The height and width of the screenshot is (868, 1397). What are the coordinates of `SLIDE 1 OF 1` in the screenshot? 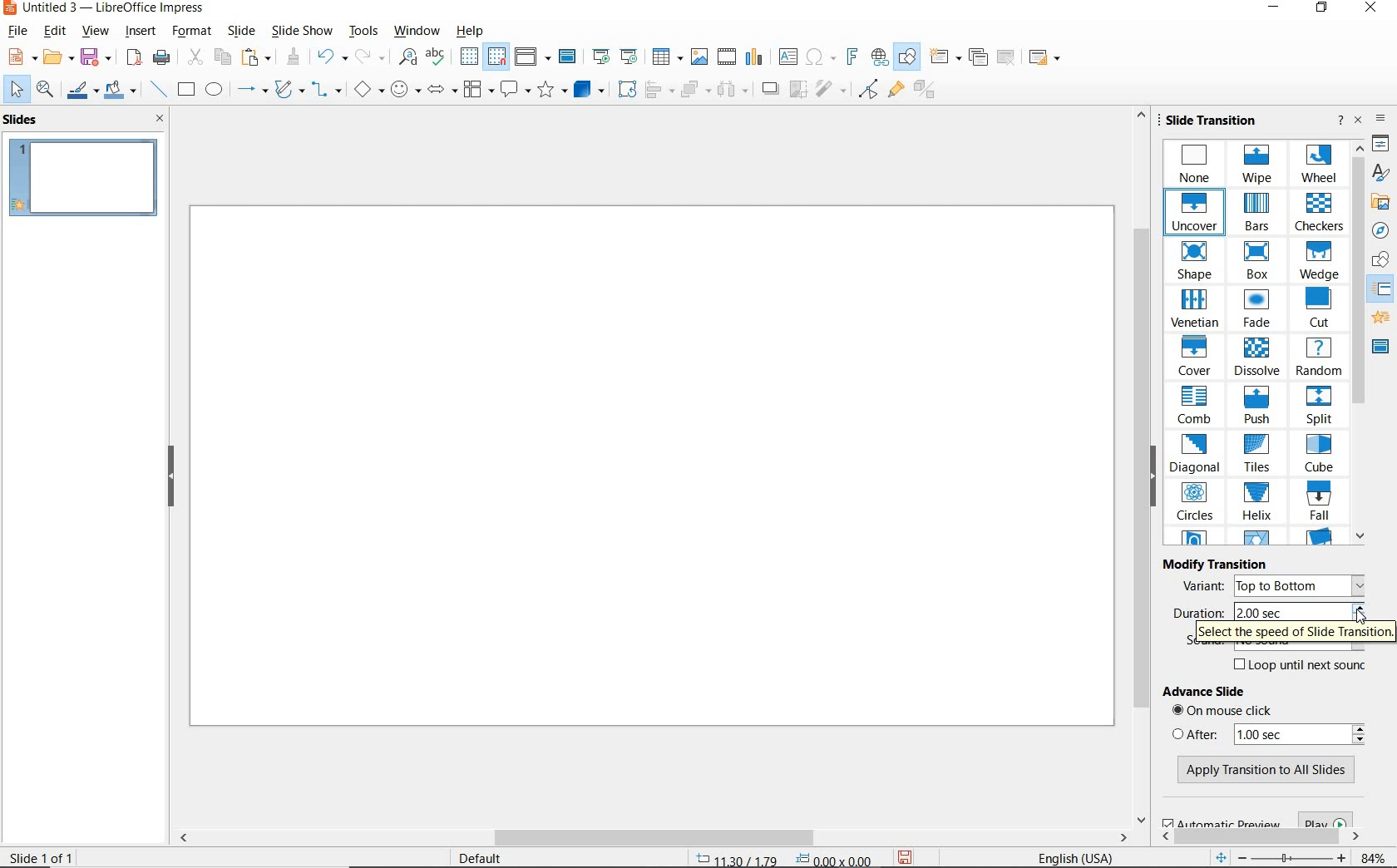 It's located at (42, 857).